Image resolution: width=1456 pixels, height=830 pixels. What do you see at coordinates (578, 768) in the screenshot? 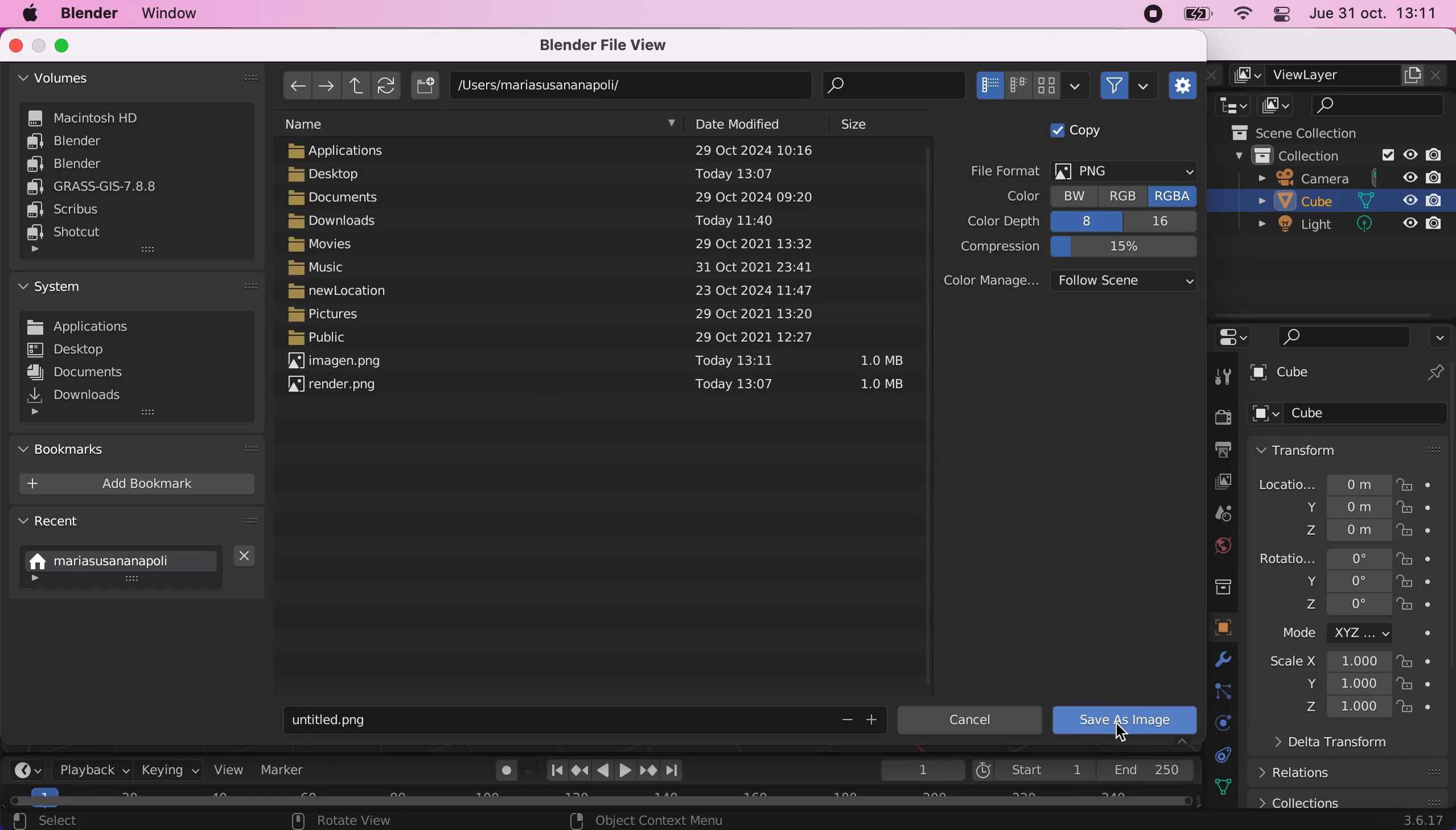
I see `Jump to previous keyframe` at bounding box center [578, 768].